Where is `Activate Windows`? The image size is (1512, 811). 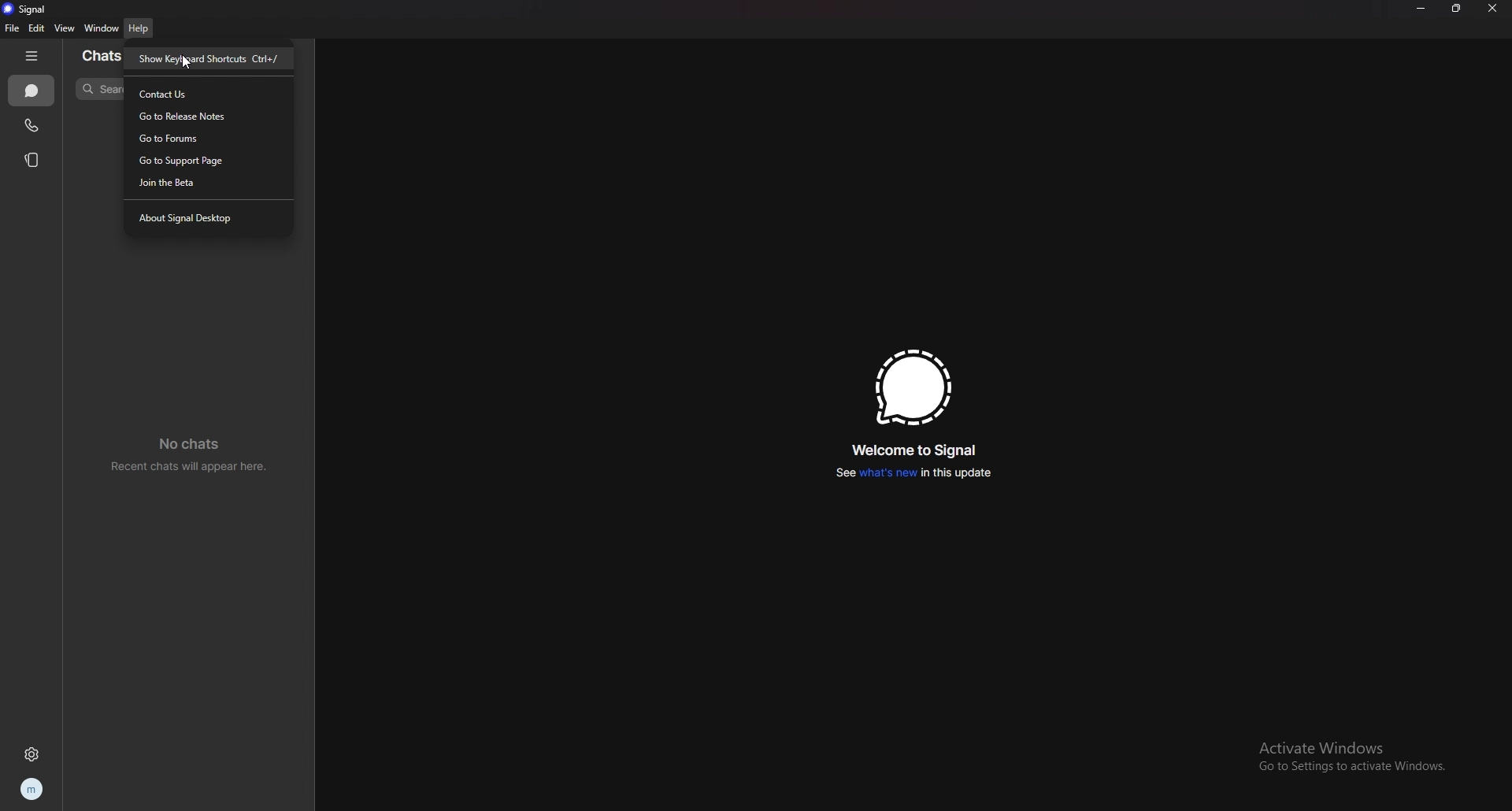 Activate Windows is located at coordinates (1321, 742).